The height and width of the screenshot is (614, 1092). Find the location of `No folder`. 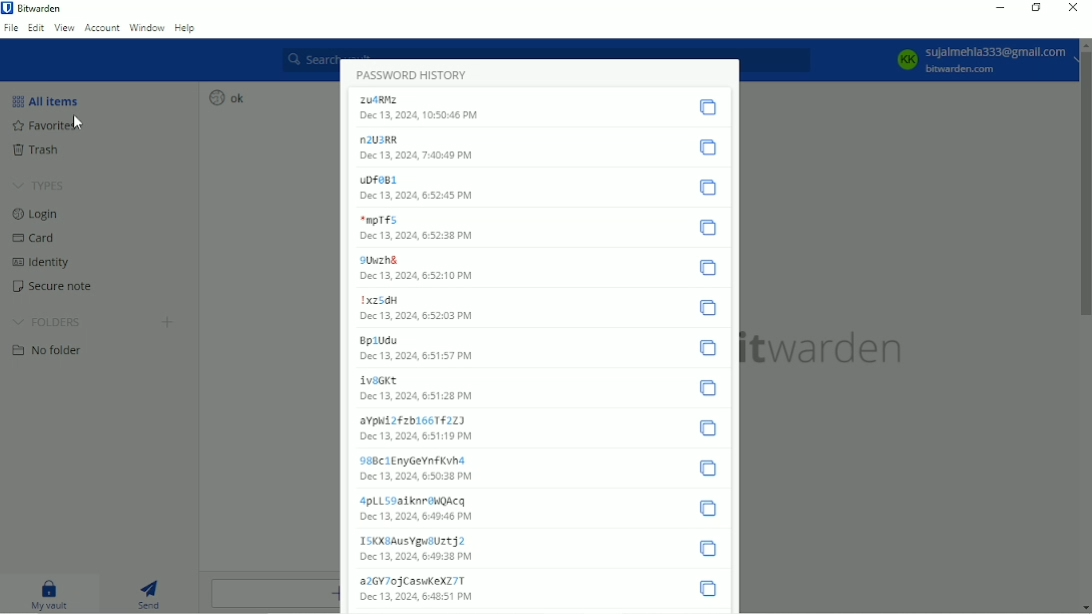

No folder is located at coordinates (45, 351).